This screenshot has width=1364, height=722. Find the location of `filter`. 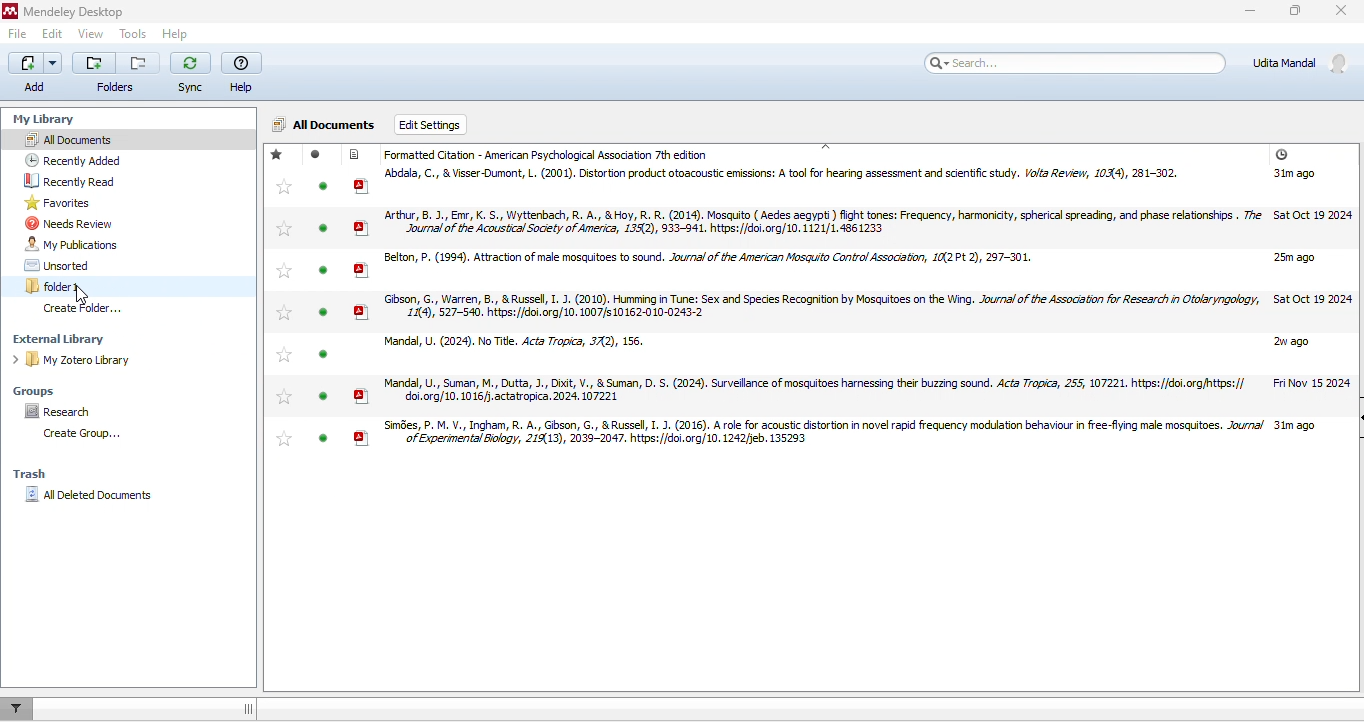

filter is located at coordinates (21, 707).